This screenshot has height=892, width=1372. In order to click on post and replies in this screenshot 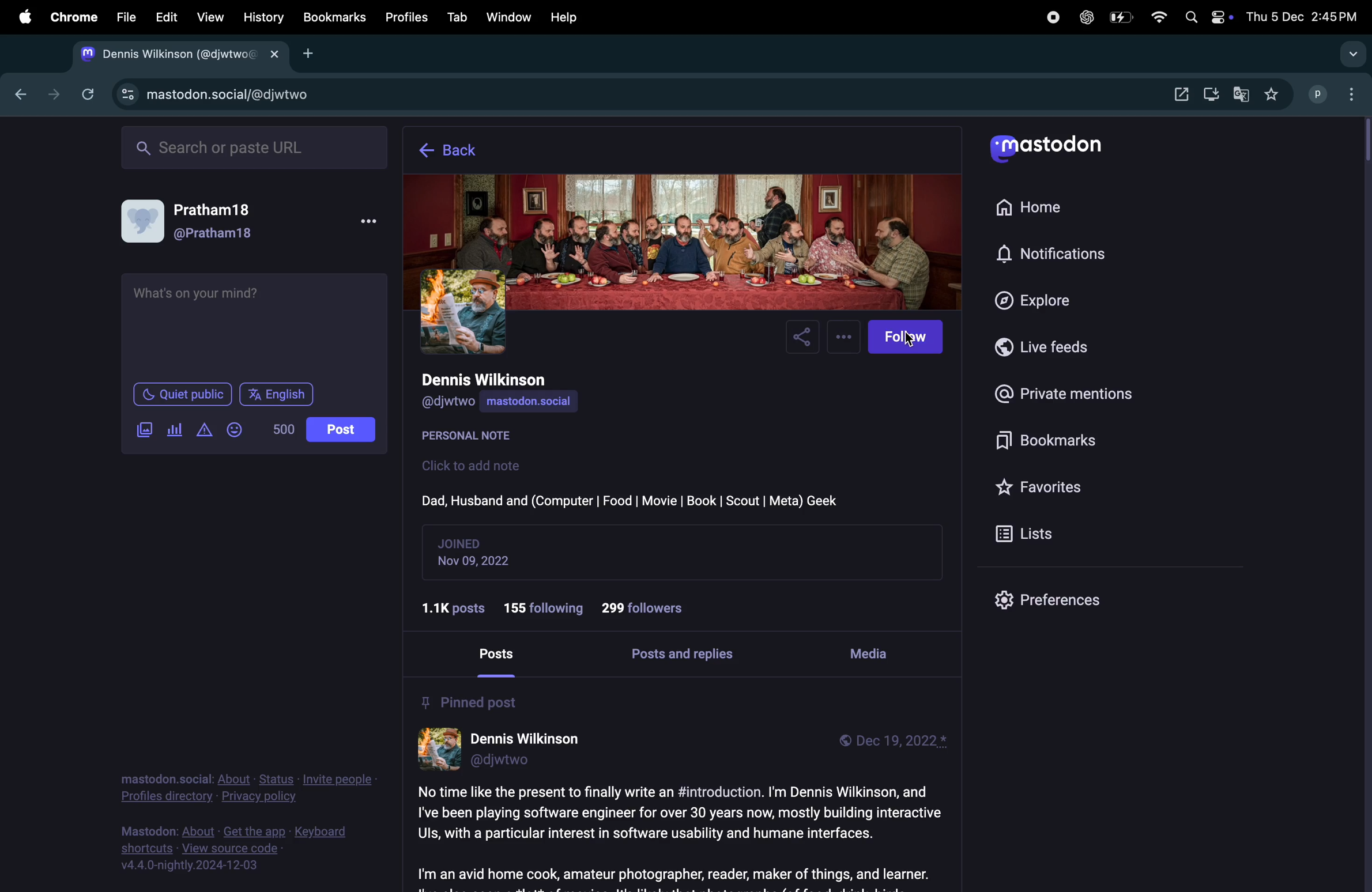, I will do `click(689, 656)`.